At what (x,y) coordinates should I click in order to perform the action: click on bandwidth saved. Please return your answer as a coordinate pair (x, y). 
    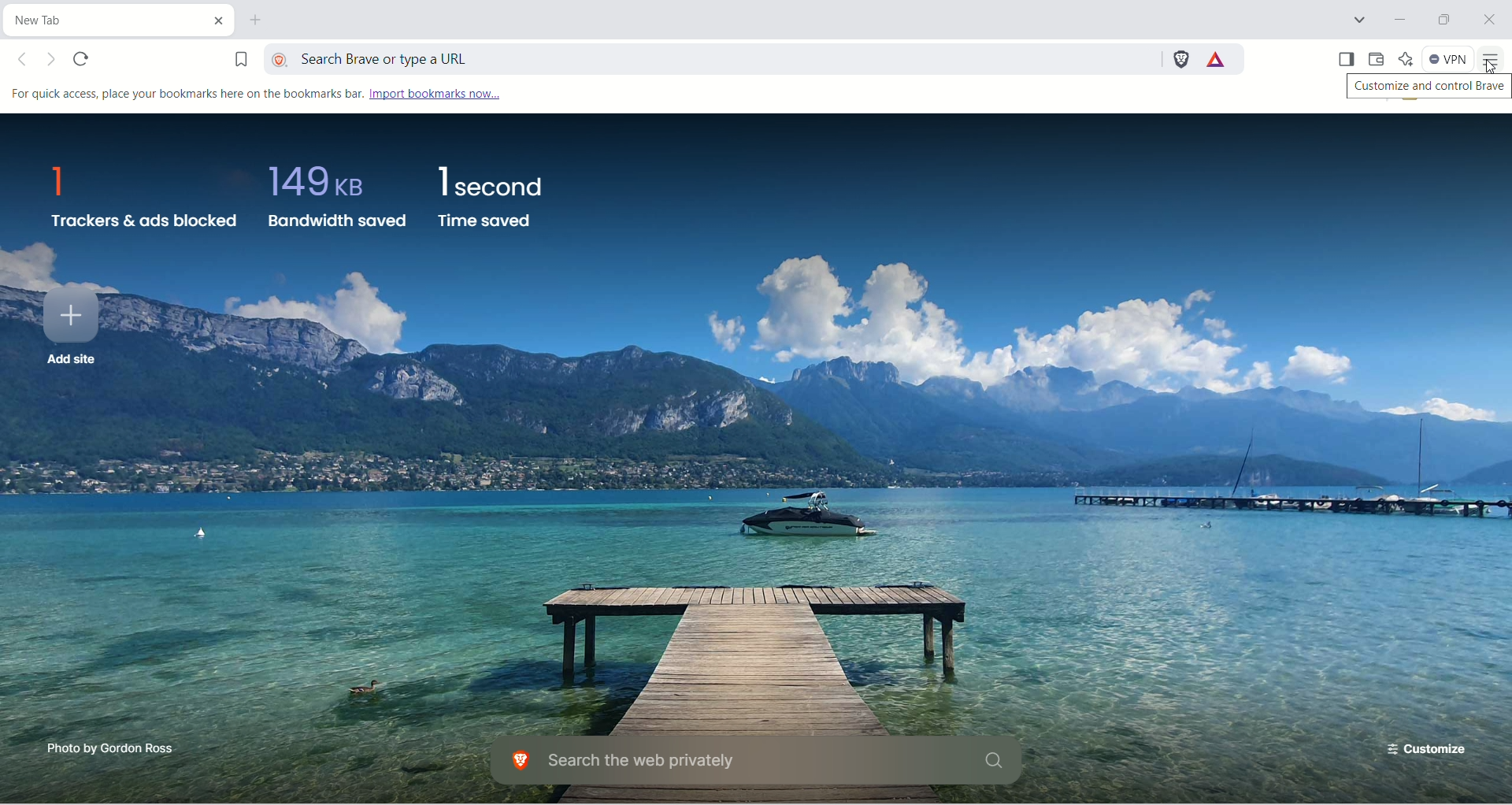
    Looking at the image, I should click on (335, 203).